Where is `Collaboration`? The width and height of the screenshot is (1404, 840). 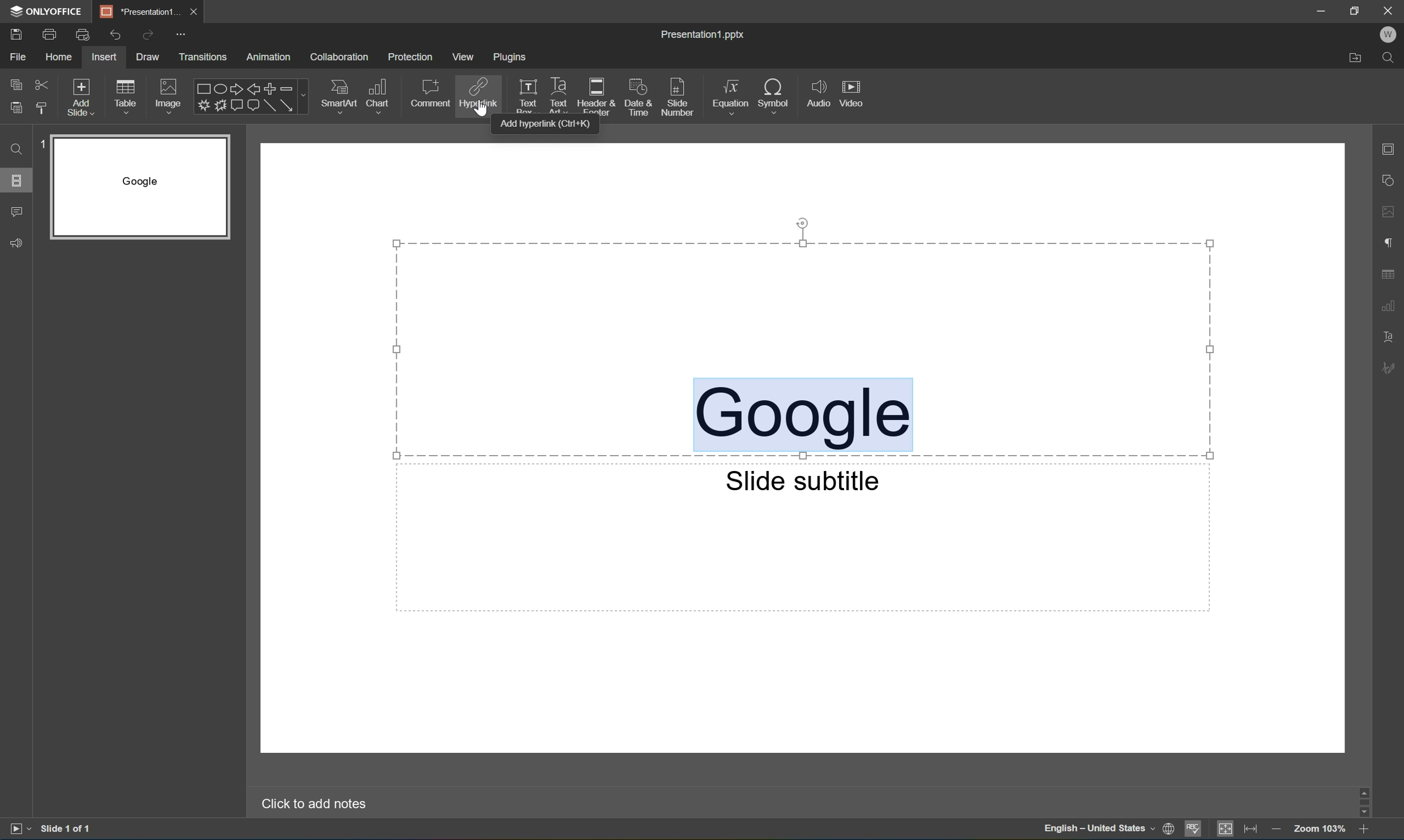
Collaboration is located at coordinates (338, 57).